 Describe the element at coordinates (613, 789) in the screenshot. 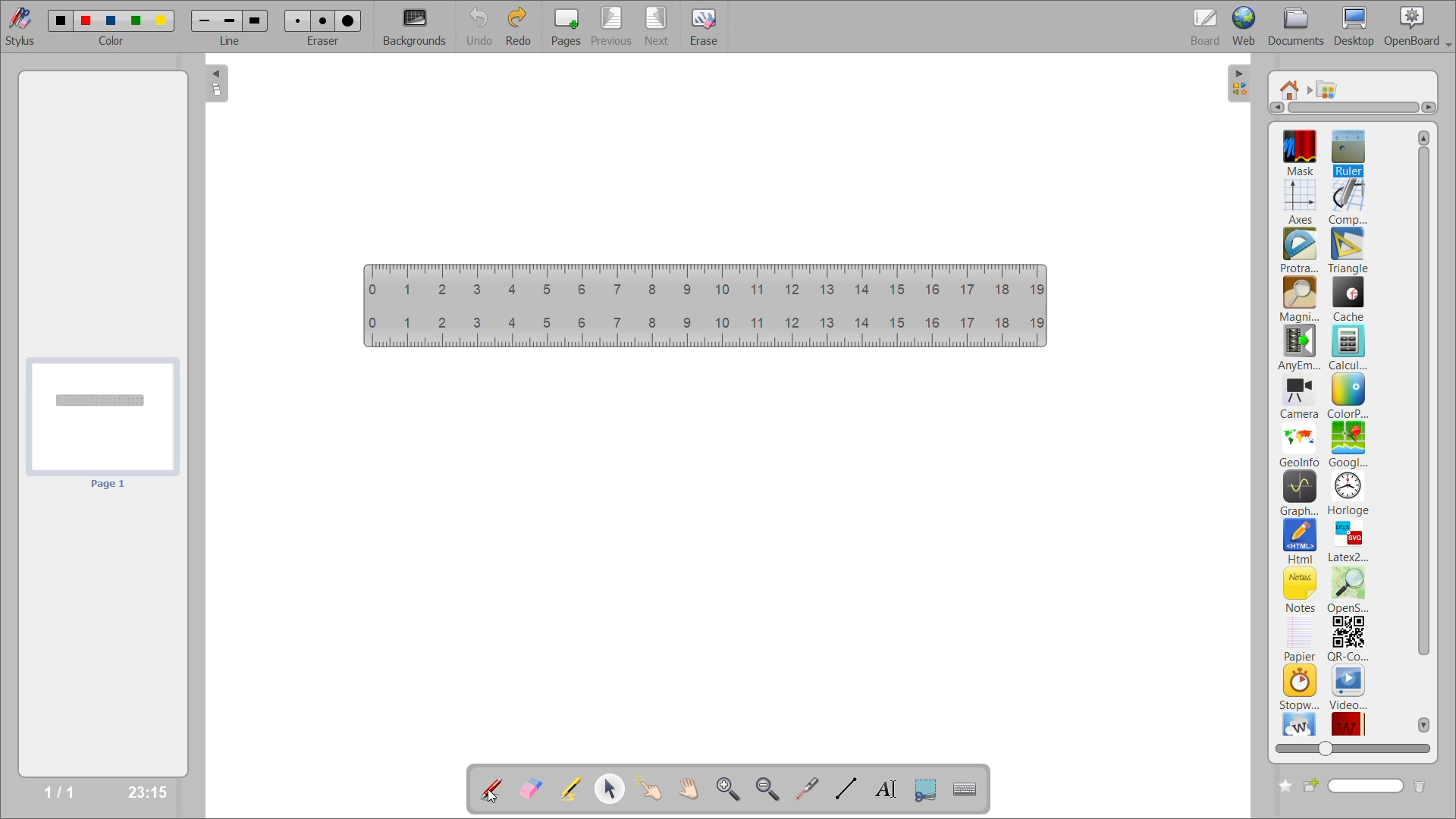

I see `select and modify objects` at that location.